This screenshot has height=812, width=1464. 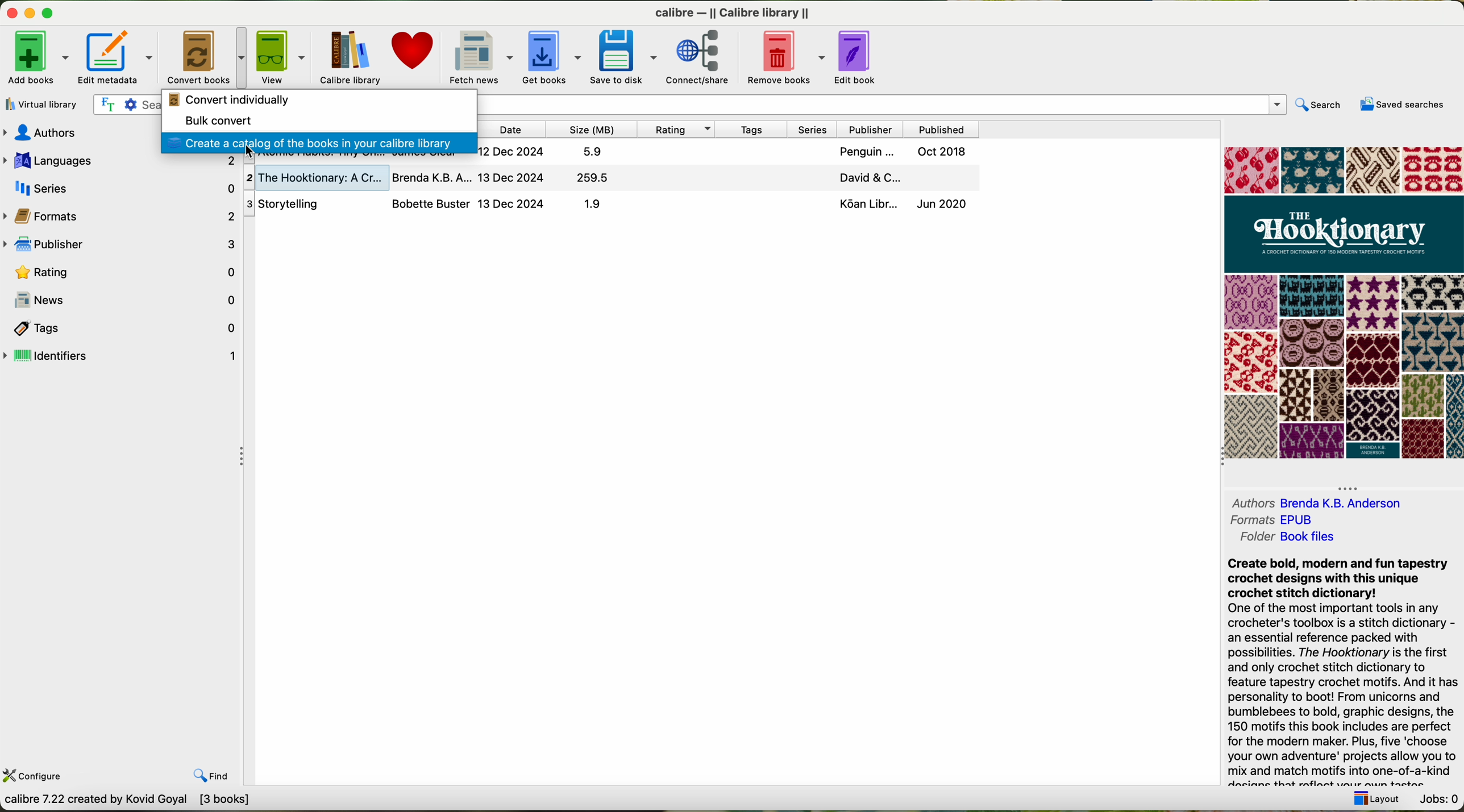 I want to click on rating, so click(x=125, y=272).